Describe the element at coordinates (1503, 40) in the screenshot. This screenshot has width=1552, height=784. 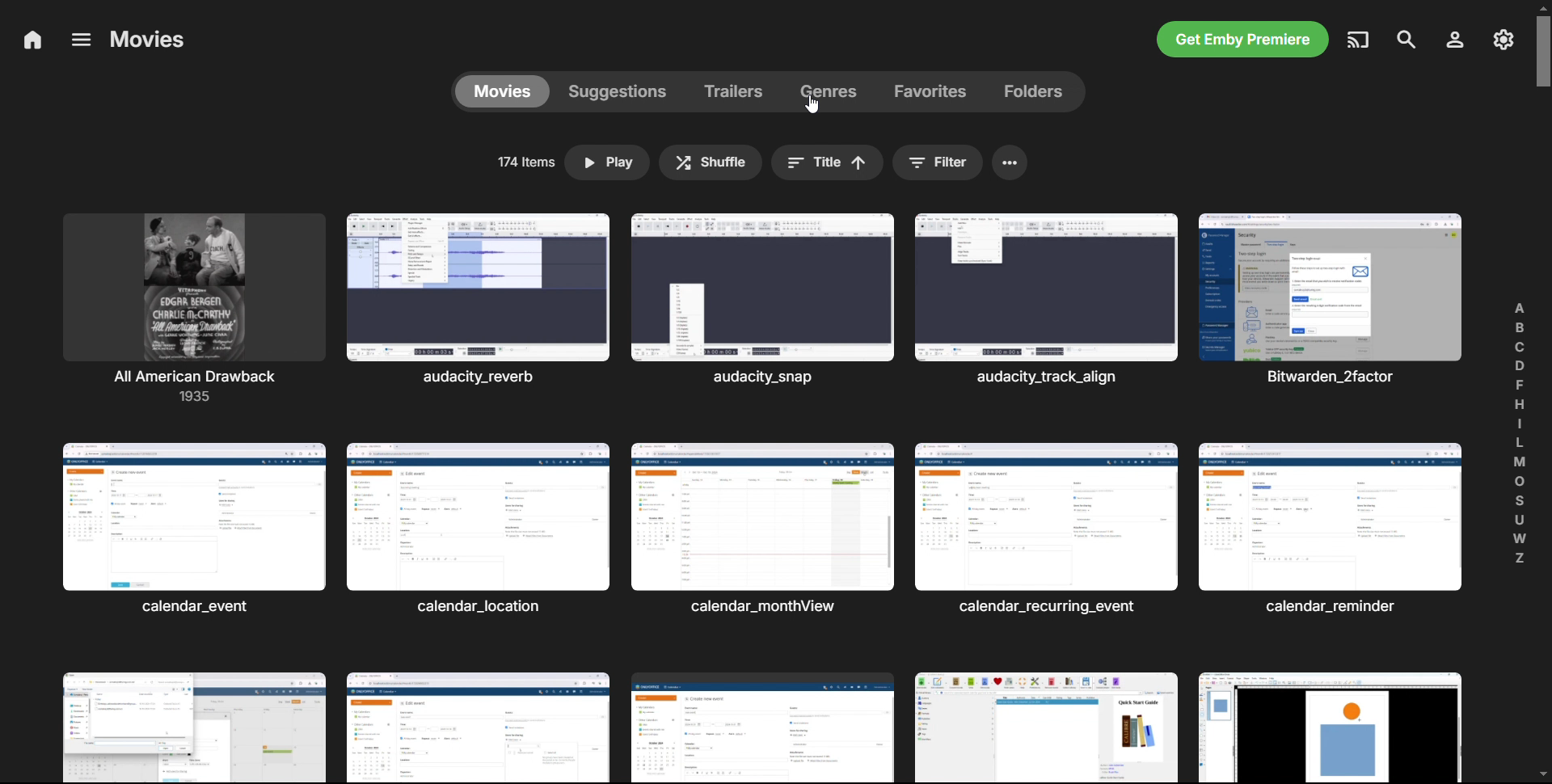
I see `settings` at that location.